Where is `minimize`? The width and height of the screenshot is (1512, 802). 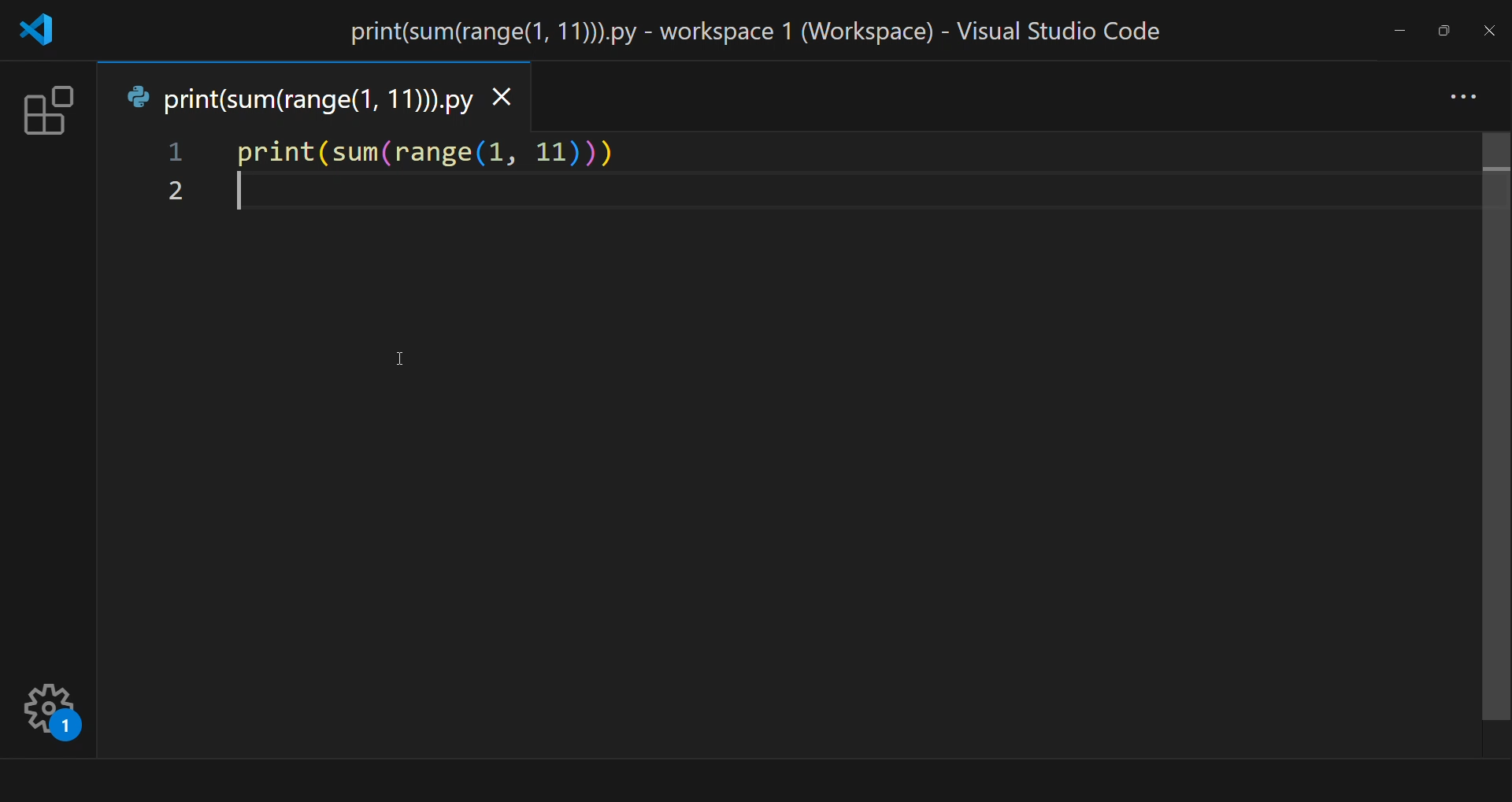 minimize is located at coordinates (1395, 31).